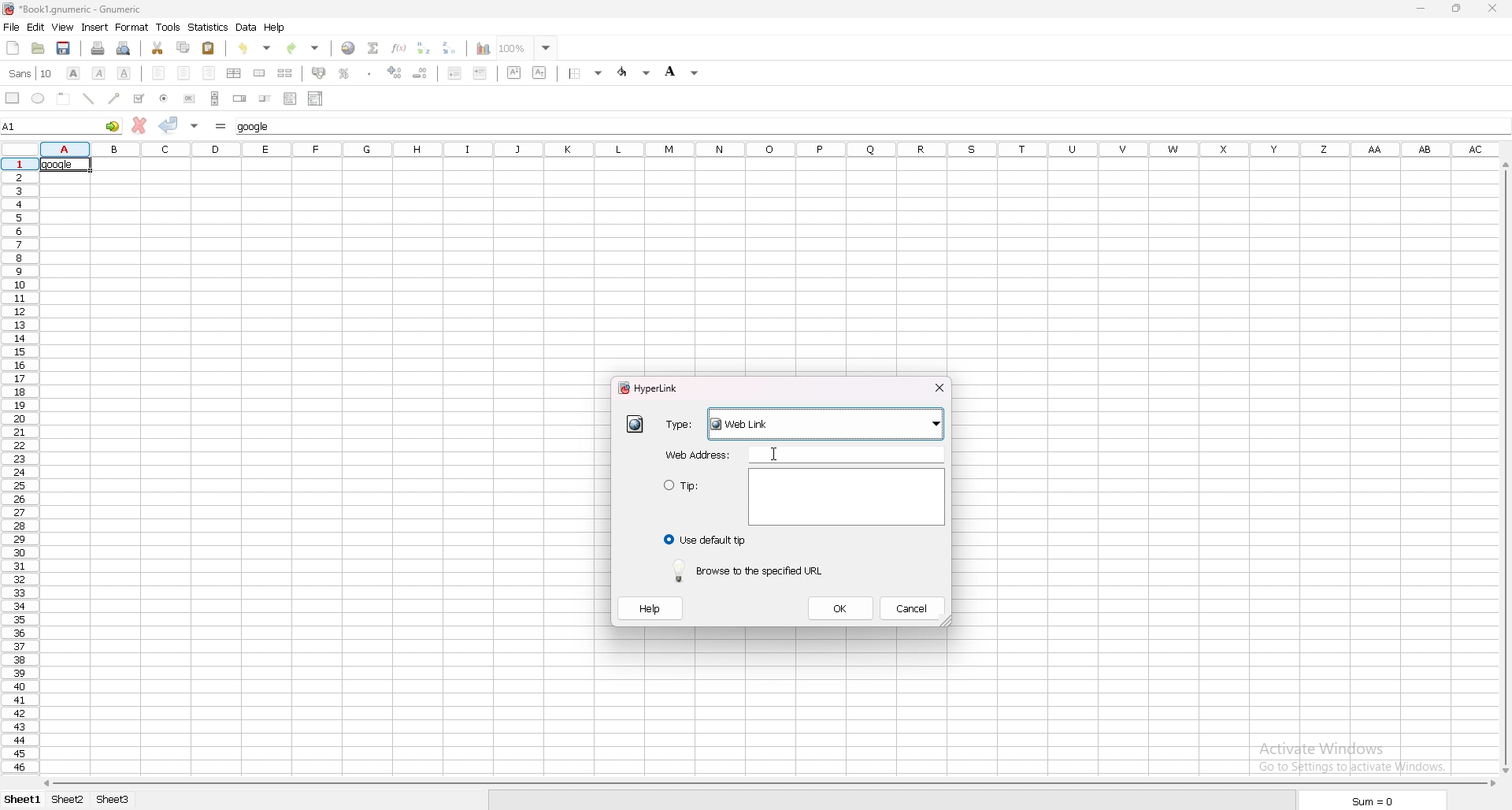  Describe the element at coordinates (684, 72) in the screenshot. I see `background` at that location.